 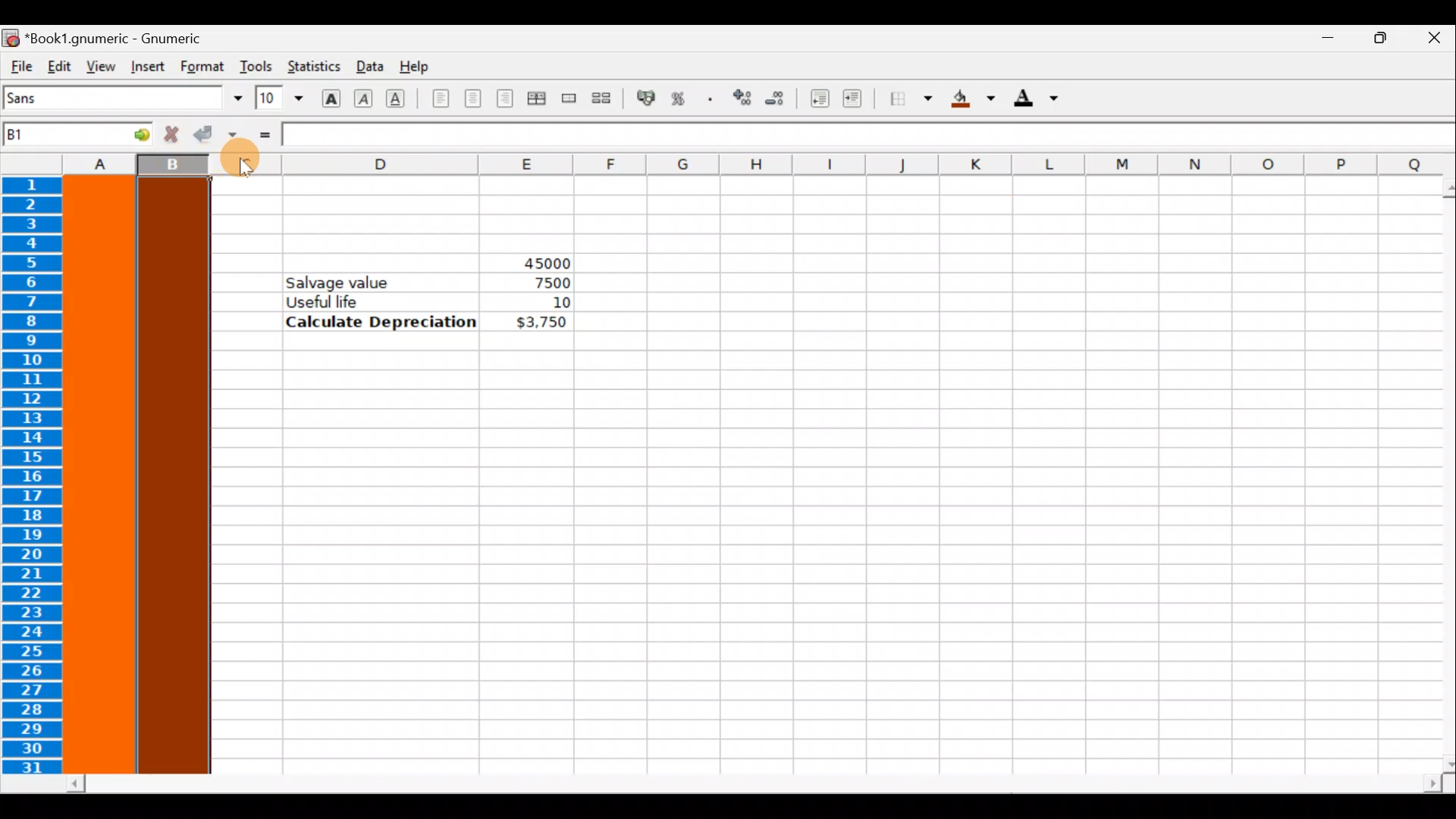 I want to click on Data, so click(x=368, y=65).